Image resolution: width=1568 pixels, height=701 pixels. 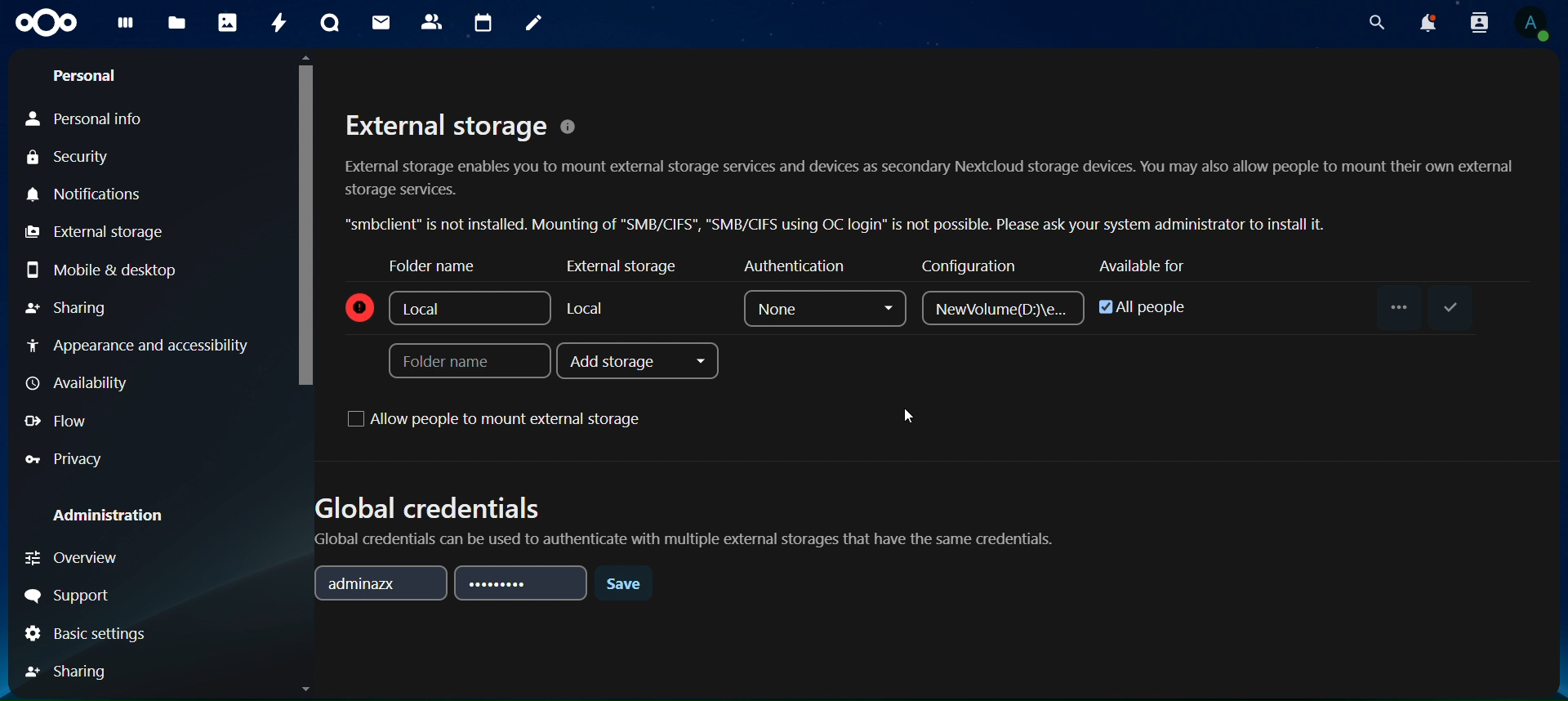 What do you see at coordinates (90, 115) in the screenshot?
I see `personal info` at bounding box center [90, 115].